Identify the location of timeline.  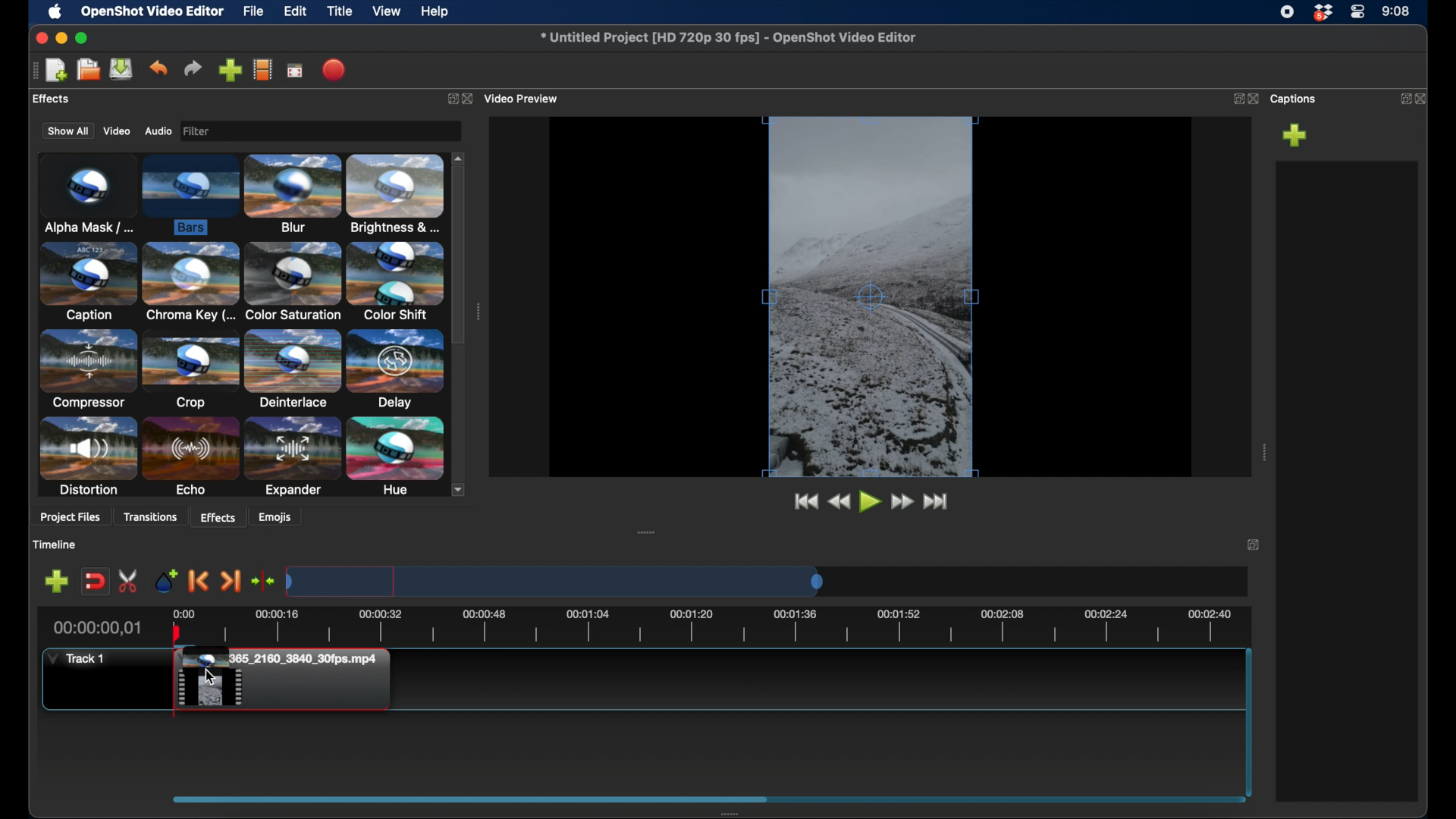
(57, 544).